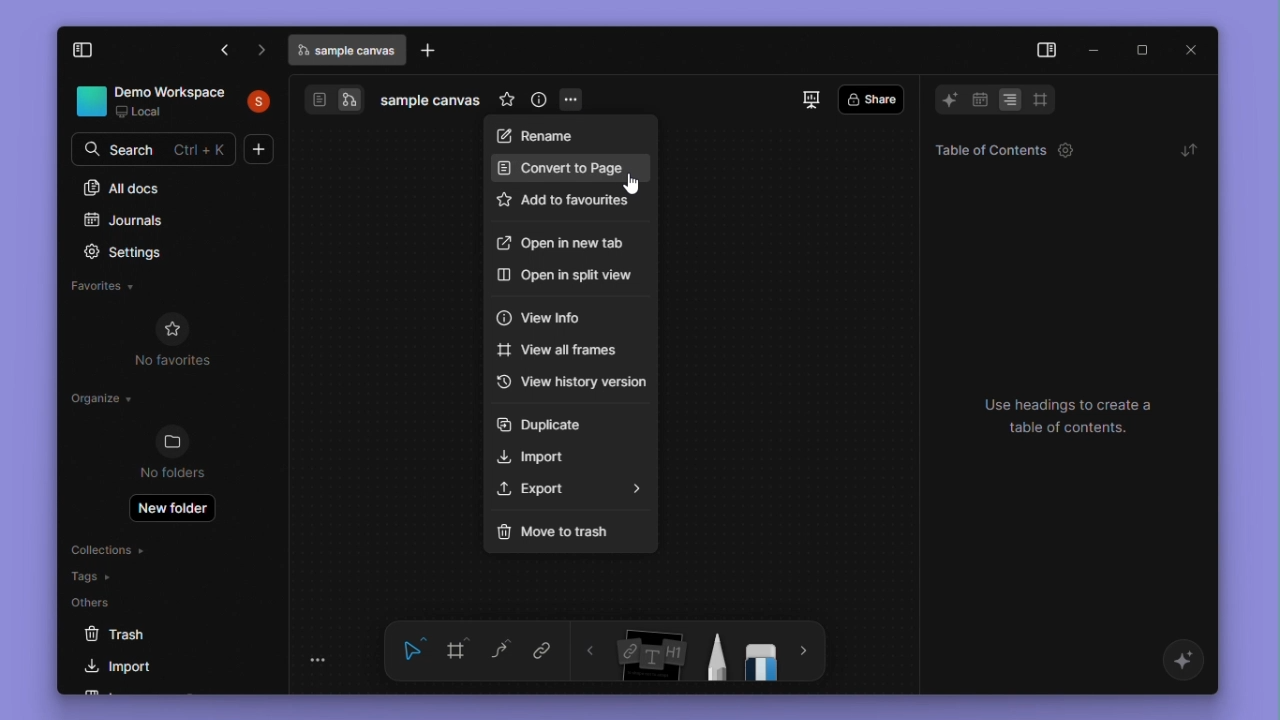  I want to click on more options, so click(324, 662).